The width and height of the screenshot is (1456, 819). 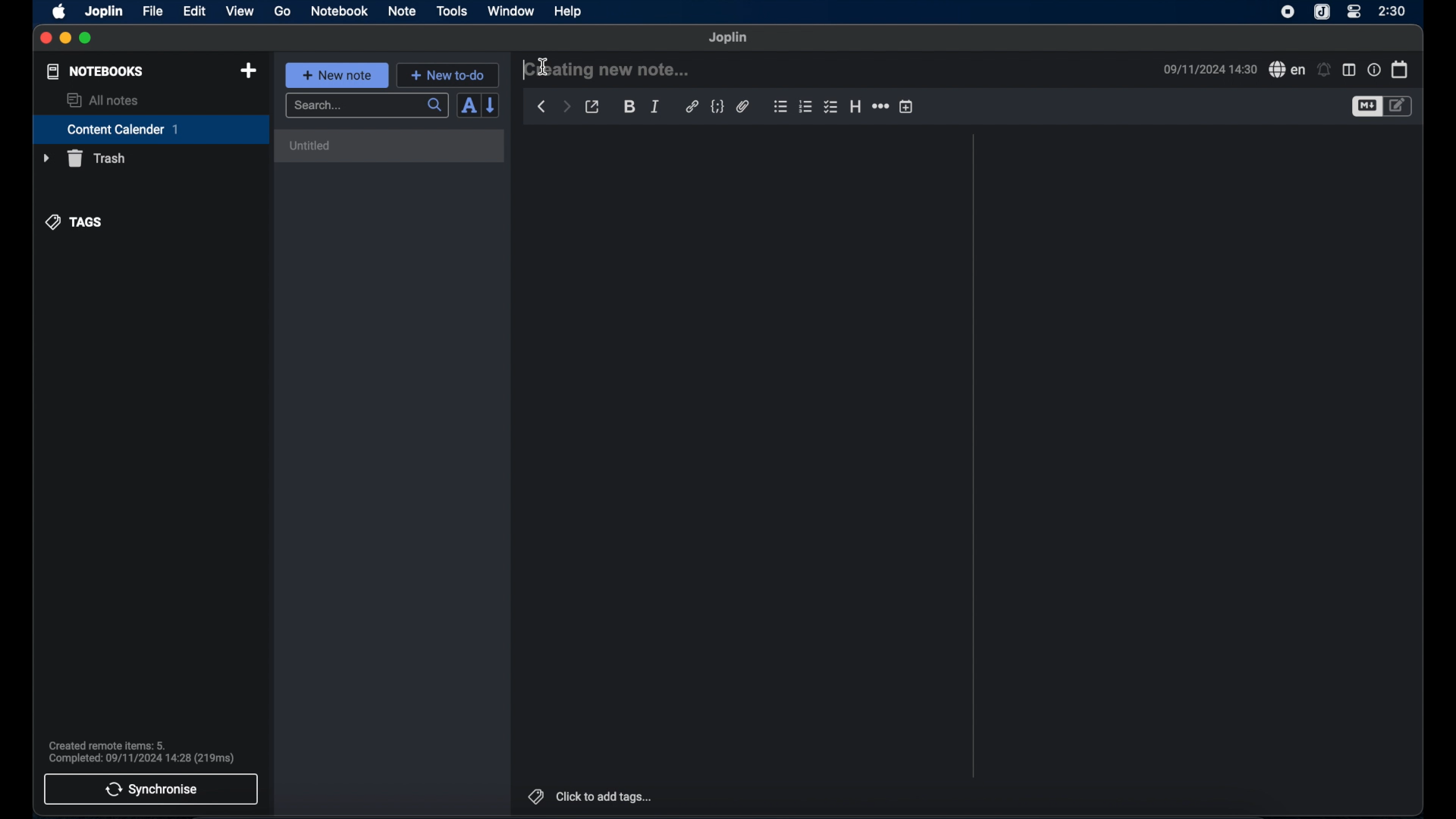 I want to click on tags, so click(x=74, y=222).